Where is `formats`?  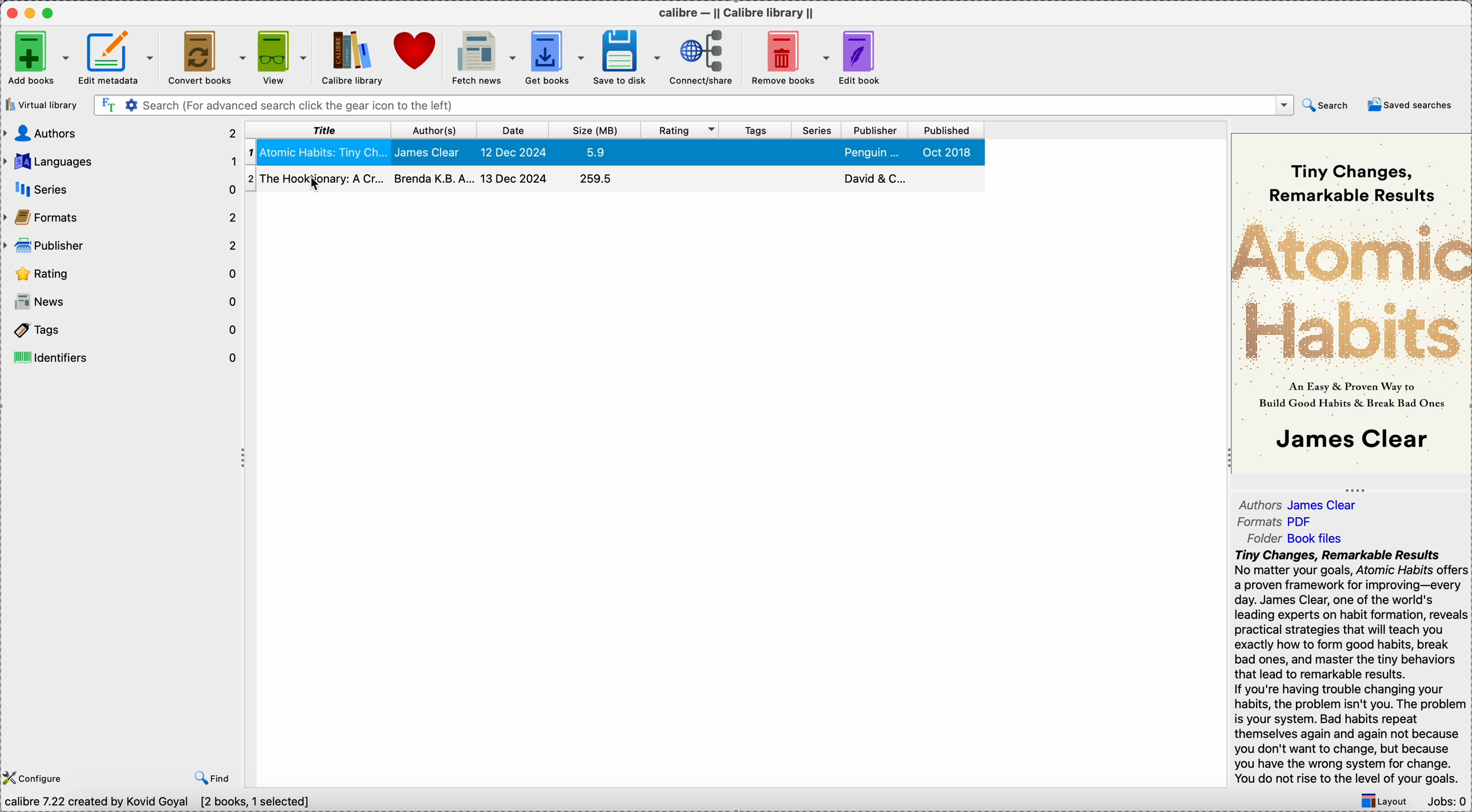
formats is located at coordinates (119, 216).